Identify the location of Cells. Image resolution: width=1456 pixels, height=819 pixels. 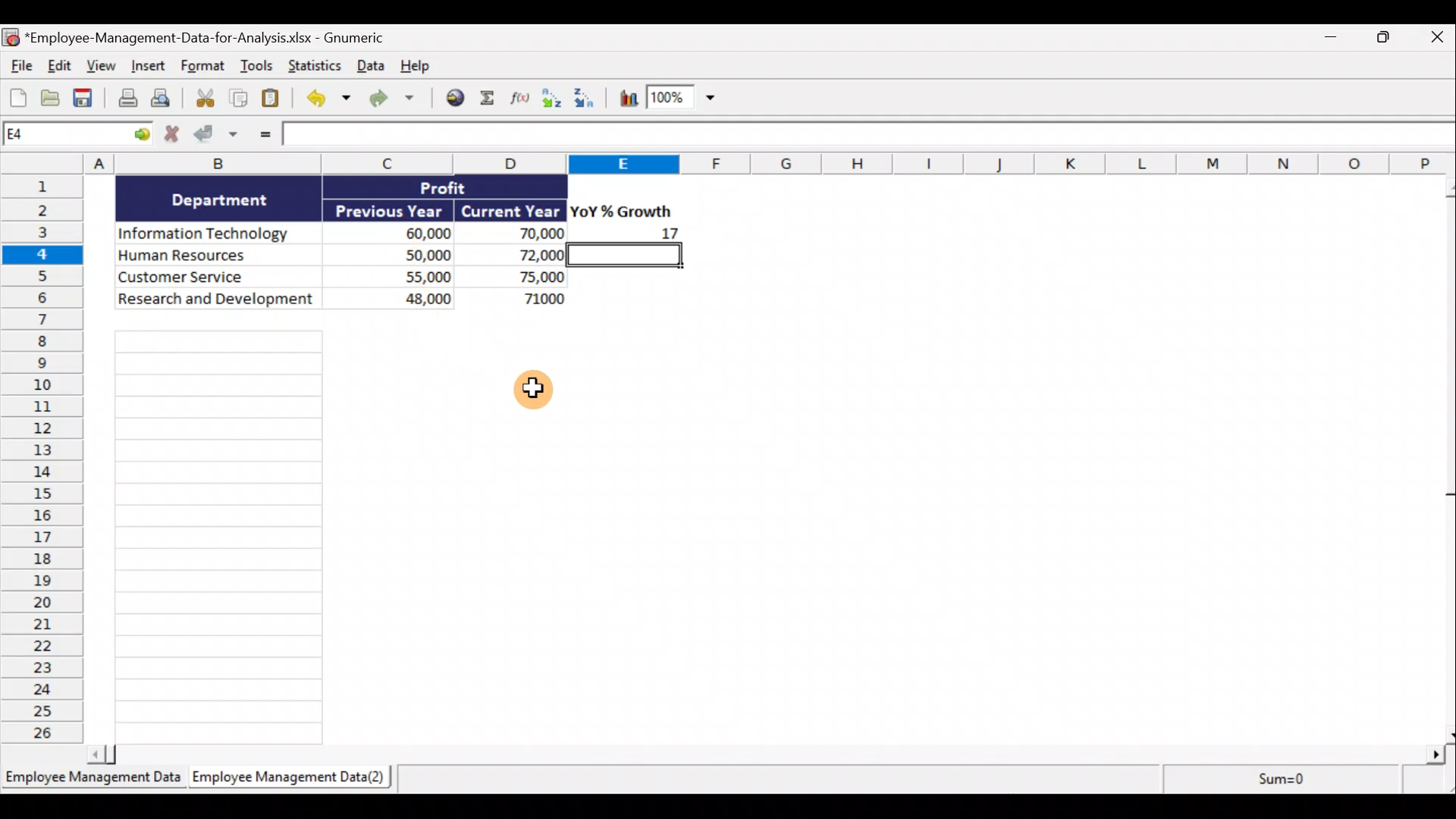
(220, 537).